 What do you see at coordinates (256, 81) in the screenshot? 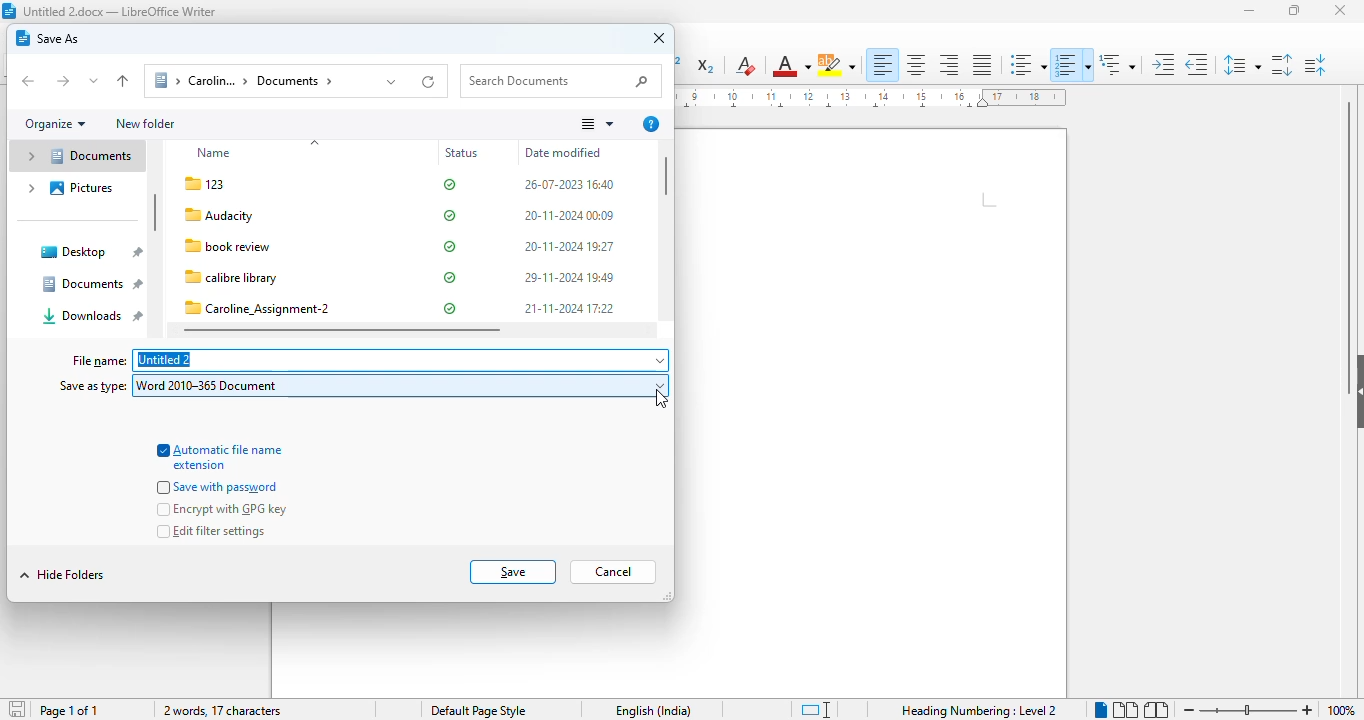
I see `documents` at bounding box center [256, 81].